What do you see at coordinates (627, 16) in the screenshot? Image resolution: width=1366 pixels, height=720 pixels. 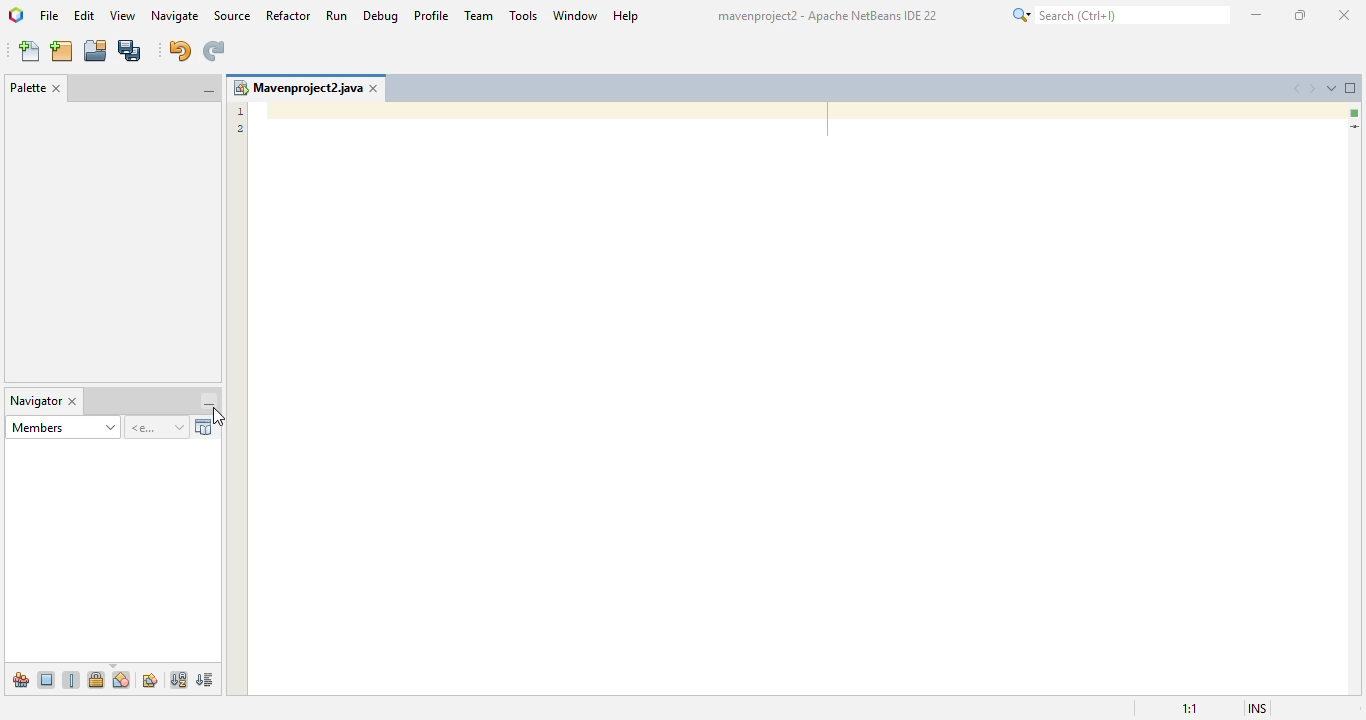 I see `help` at bounding box center [627, 16].